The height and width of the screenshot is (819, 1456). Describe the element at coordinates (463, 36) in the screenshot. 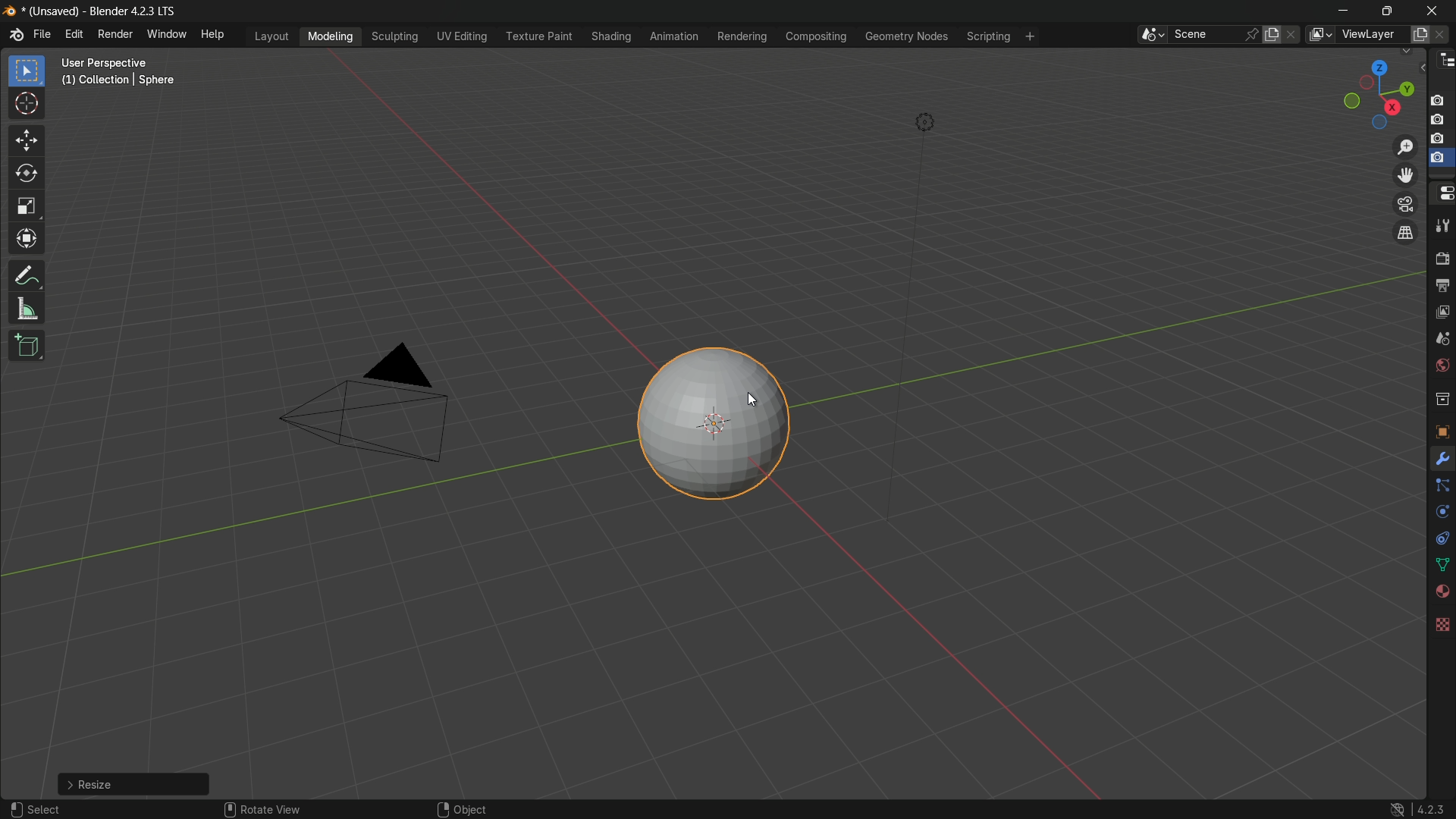

I see `uv editing menu` at that location.